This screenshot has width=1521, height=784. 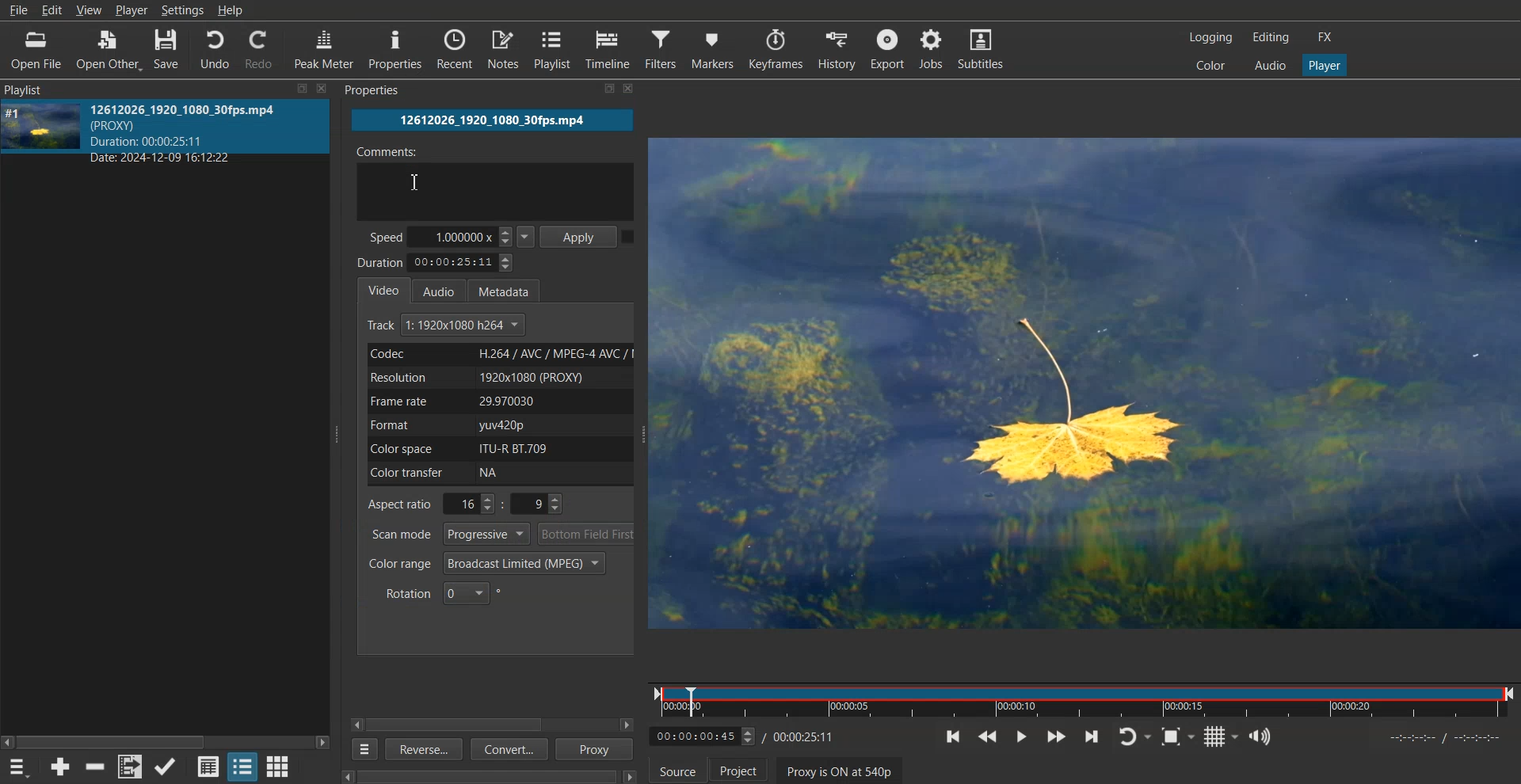 What do you see at coordinates (581, 235) in the screenshot?
I see `Apply` at bounding box center [581, 235].